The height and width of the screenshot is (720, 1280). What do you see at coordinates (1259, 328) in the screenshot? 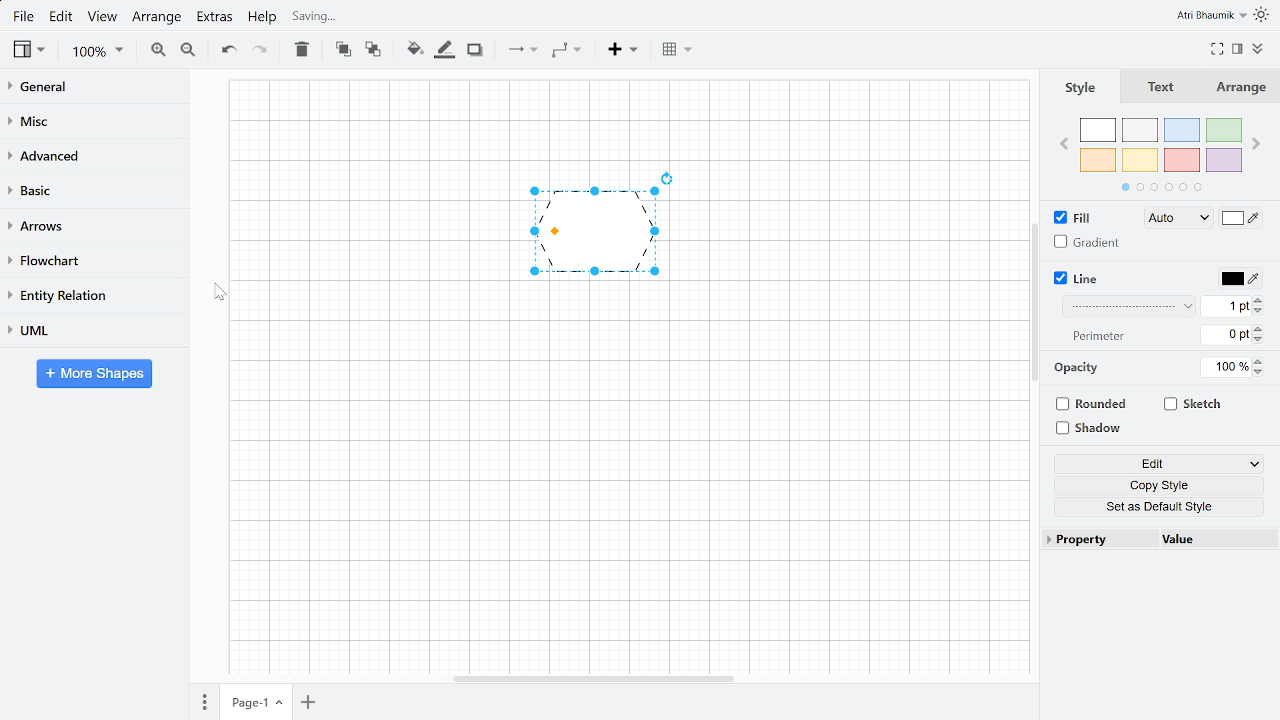
I see `Increase line perimeter` at bounding box center [1259, 328].